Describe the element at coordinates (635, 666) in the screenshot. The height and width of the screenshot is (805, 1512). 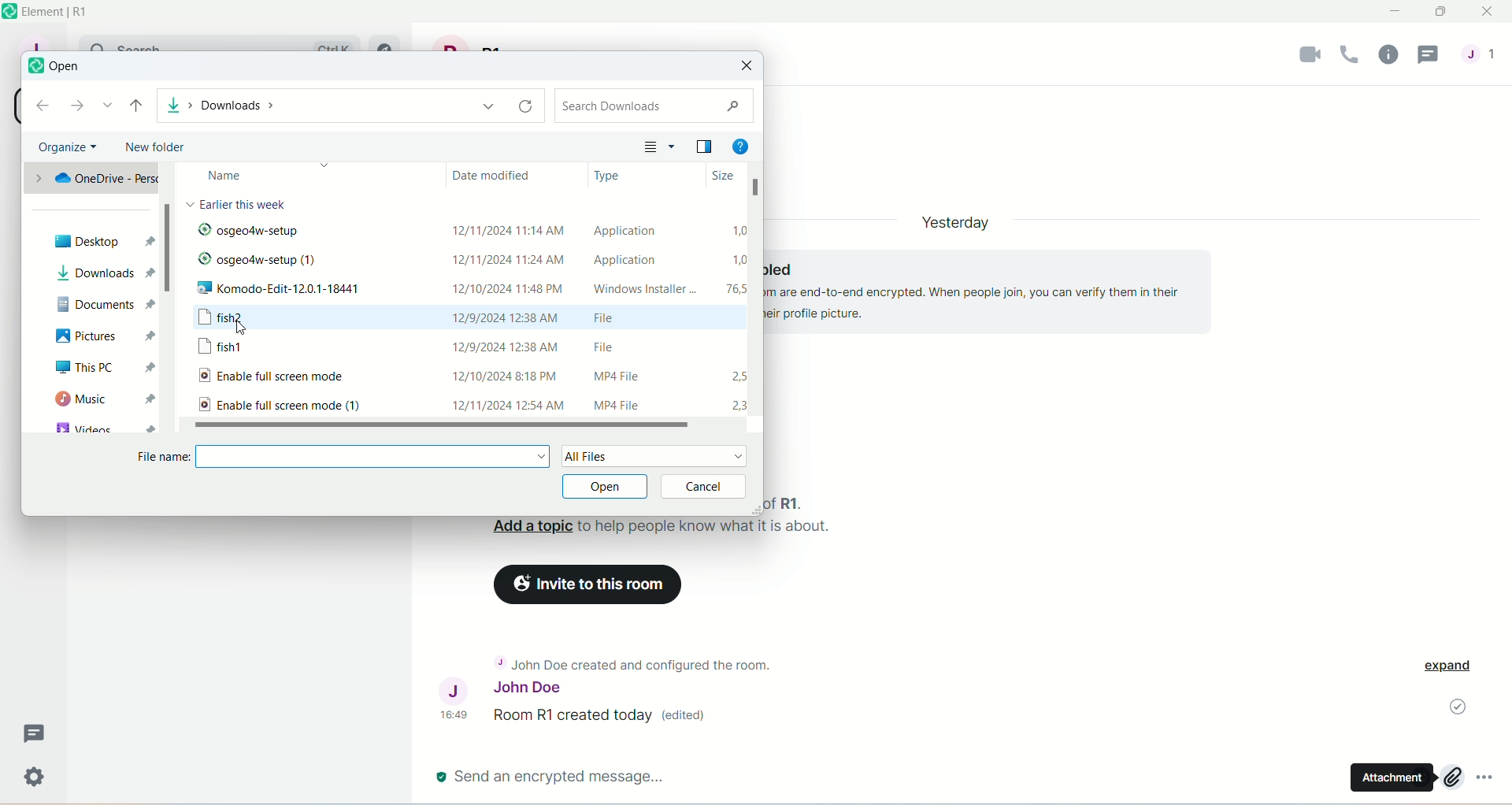
I see `John Doe created and configure the room.` at that location.